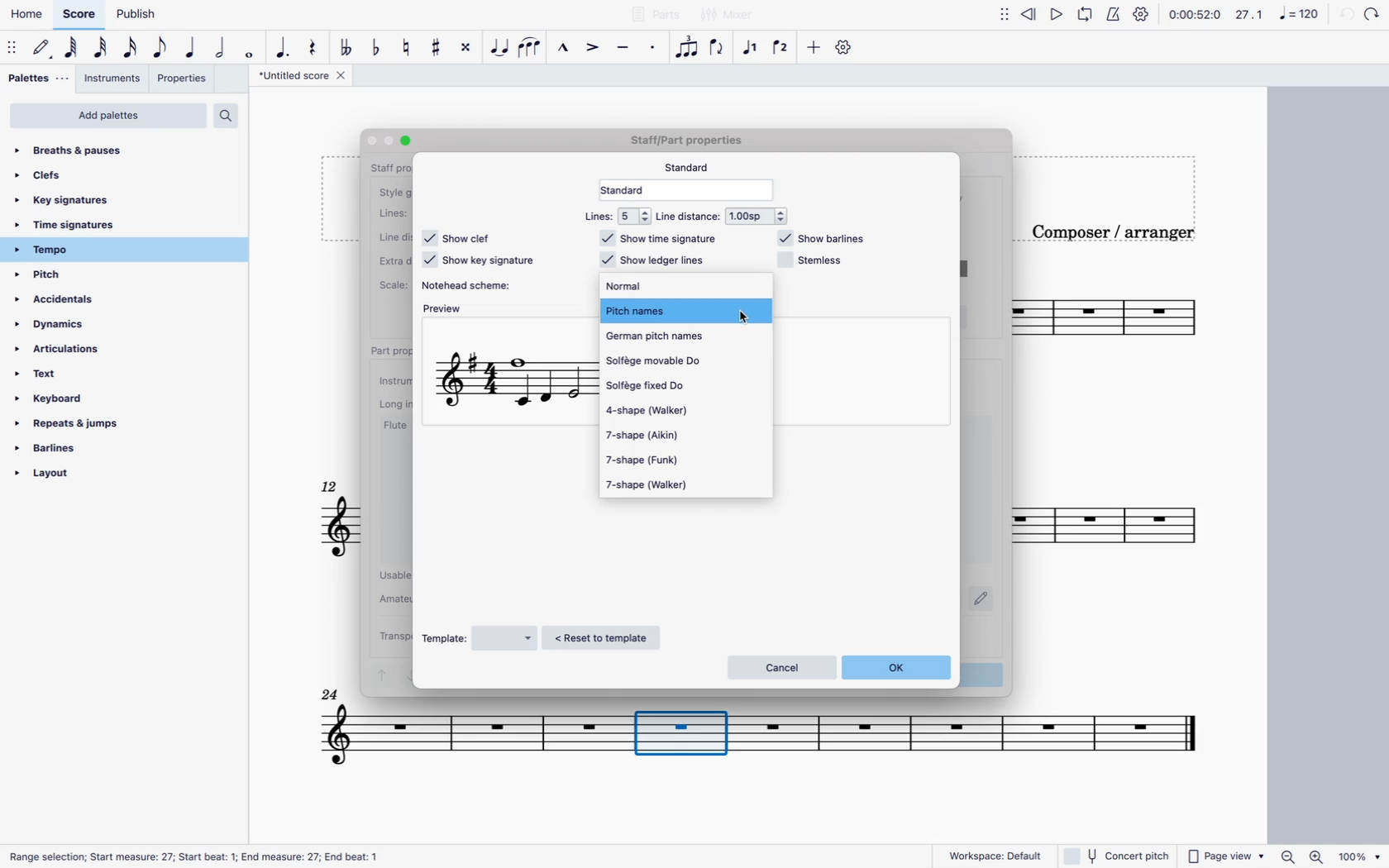 This screenshot has width=1389, height=868. Describe the element at coordinates (666, 385) in the screenshot. I see `solfege fixed do` at that location.